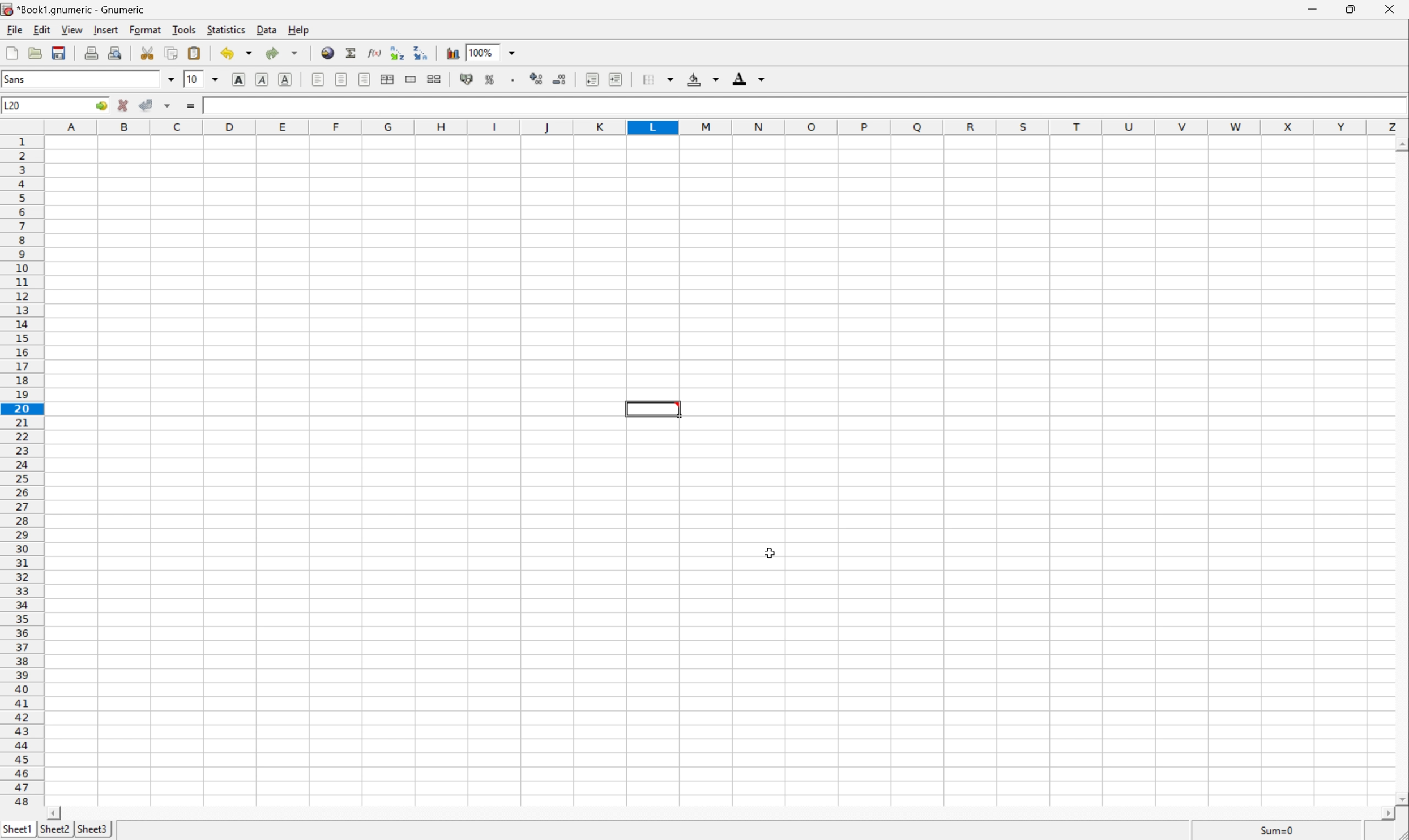 The width and height of the screenshot is (1409, 840). I want to click on File, so click(15, 29).